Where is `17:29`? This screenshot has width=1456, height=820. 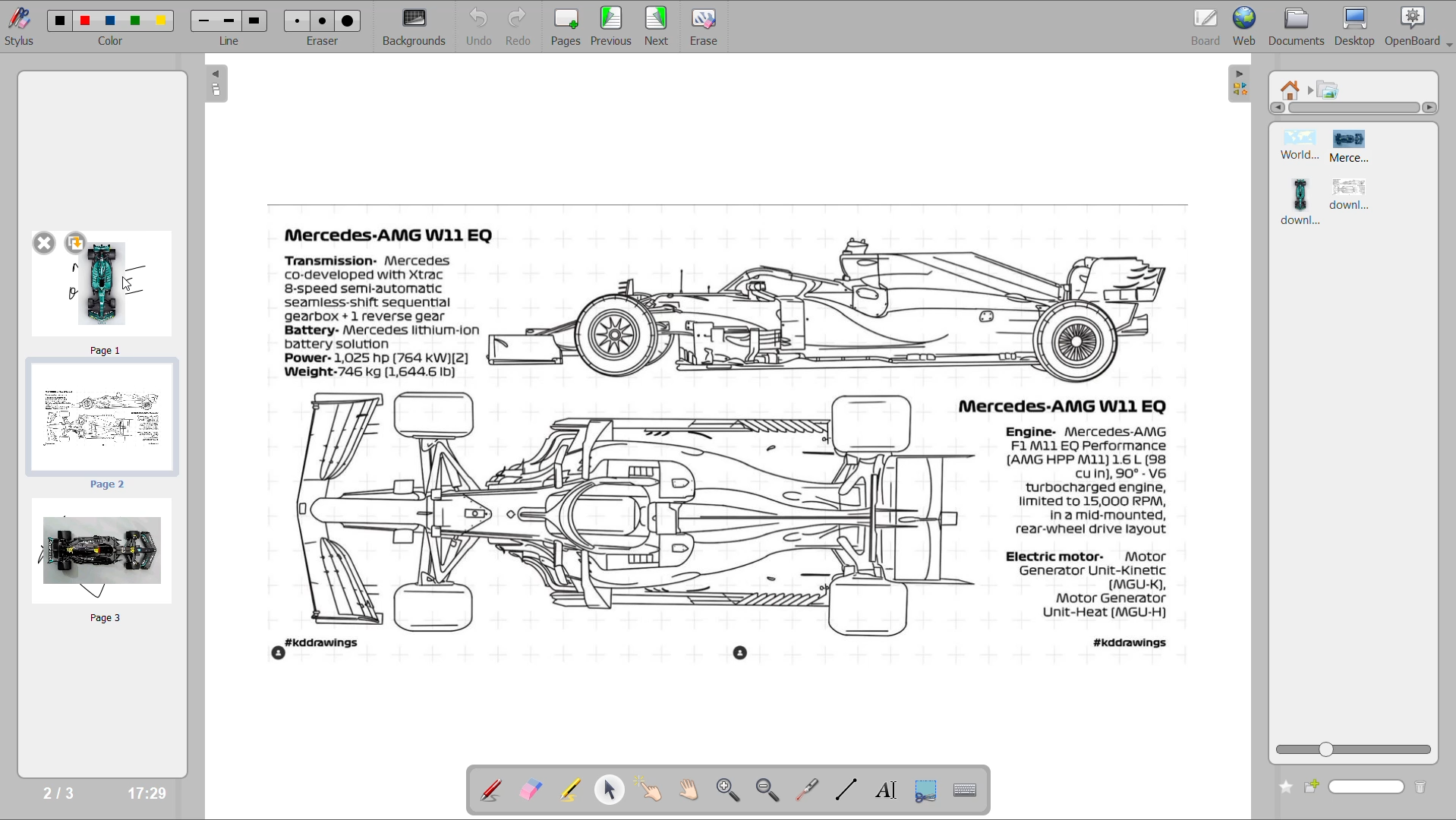 17:29 is located at coordinates (149, 794).